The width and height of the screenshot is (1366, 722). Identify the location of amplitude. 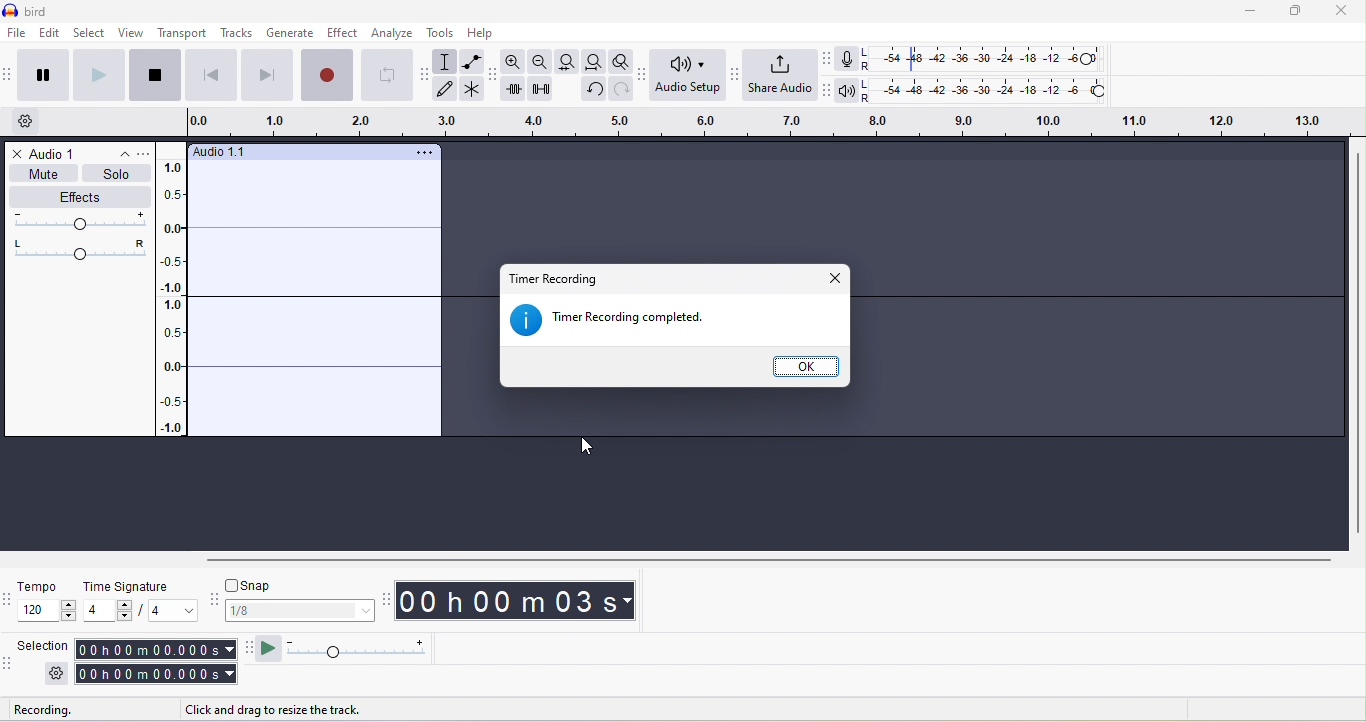
(179, 296).